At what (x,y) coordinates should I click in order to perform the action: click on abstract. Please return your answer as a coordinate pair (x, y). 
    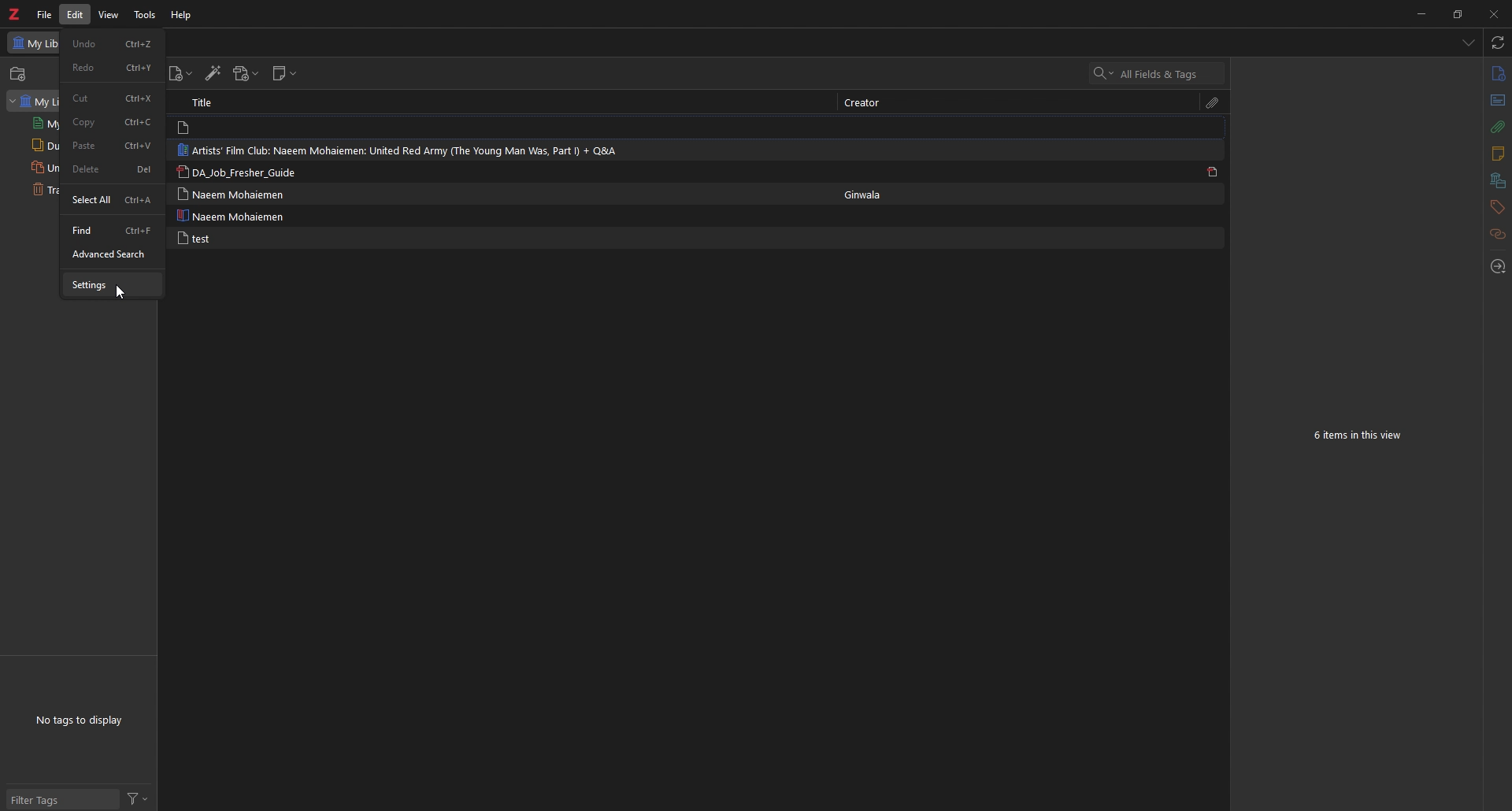
    Looking at the image, I should click on (1496, 101).